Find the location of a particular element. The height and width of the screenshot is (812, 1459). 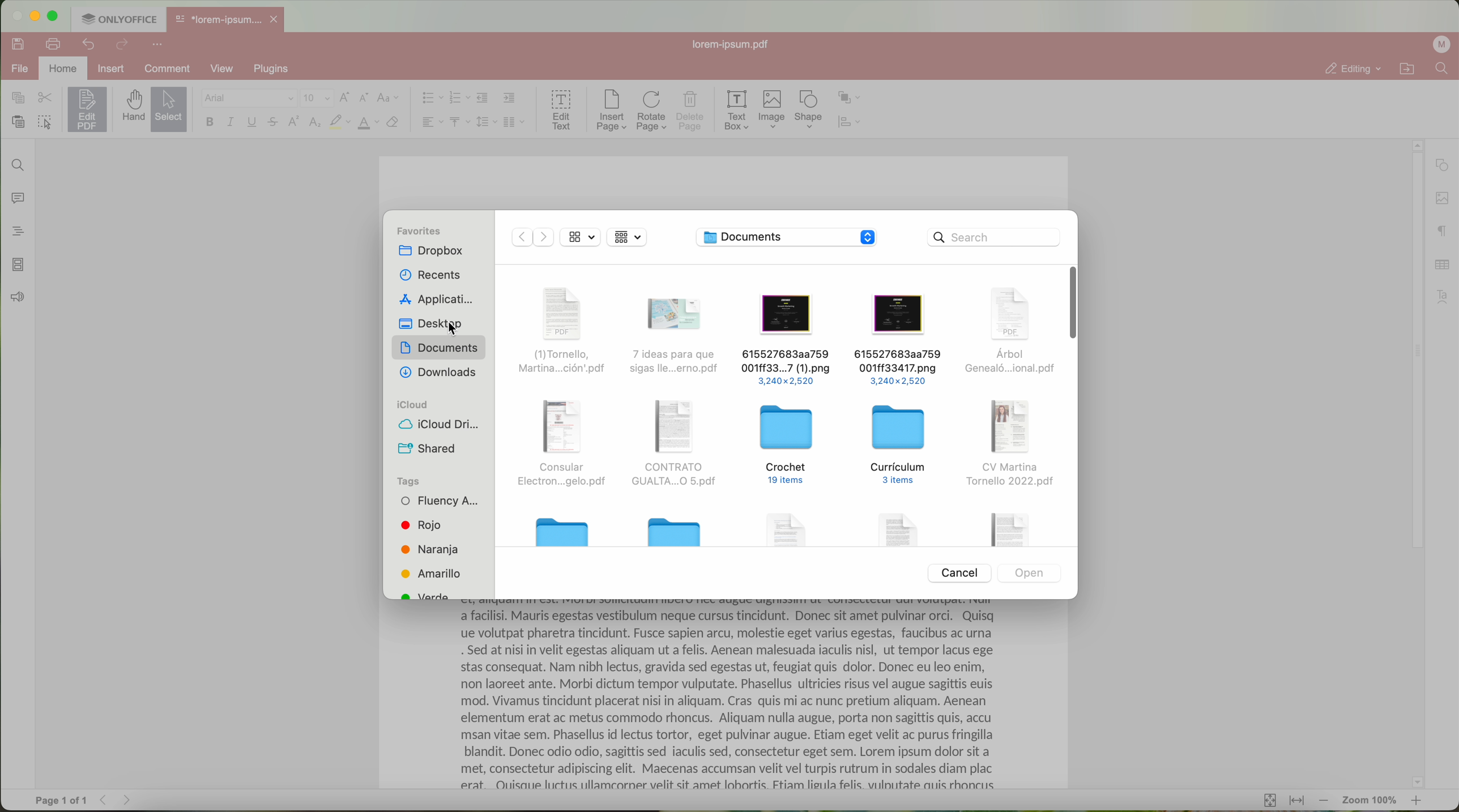

align shape is located at coordinates (852, 123).